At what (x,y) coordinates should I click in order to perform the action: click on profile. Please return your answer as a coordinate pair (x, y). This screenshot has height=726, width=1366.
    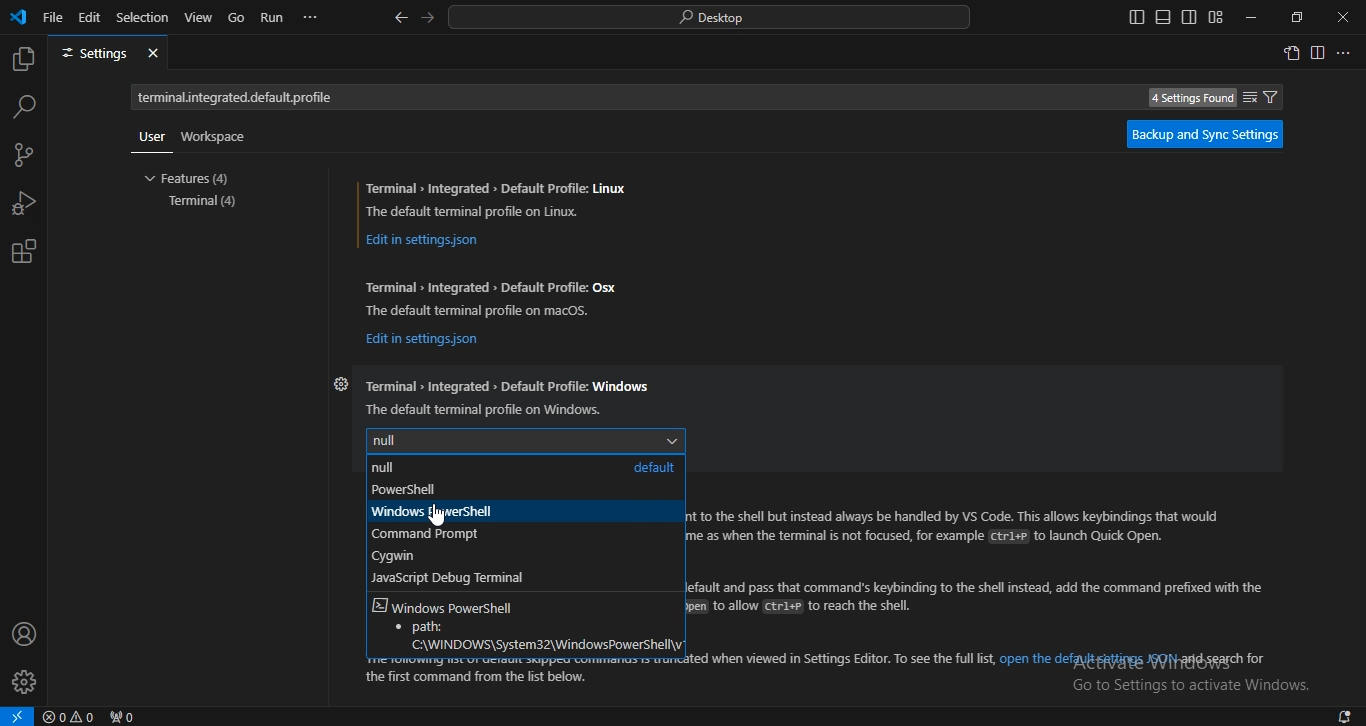
    Looking at the image, I should click on (24, 683).